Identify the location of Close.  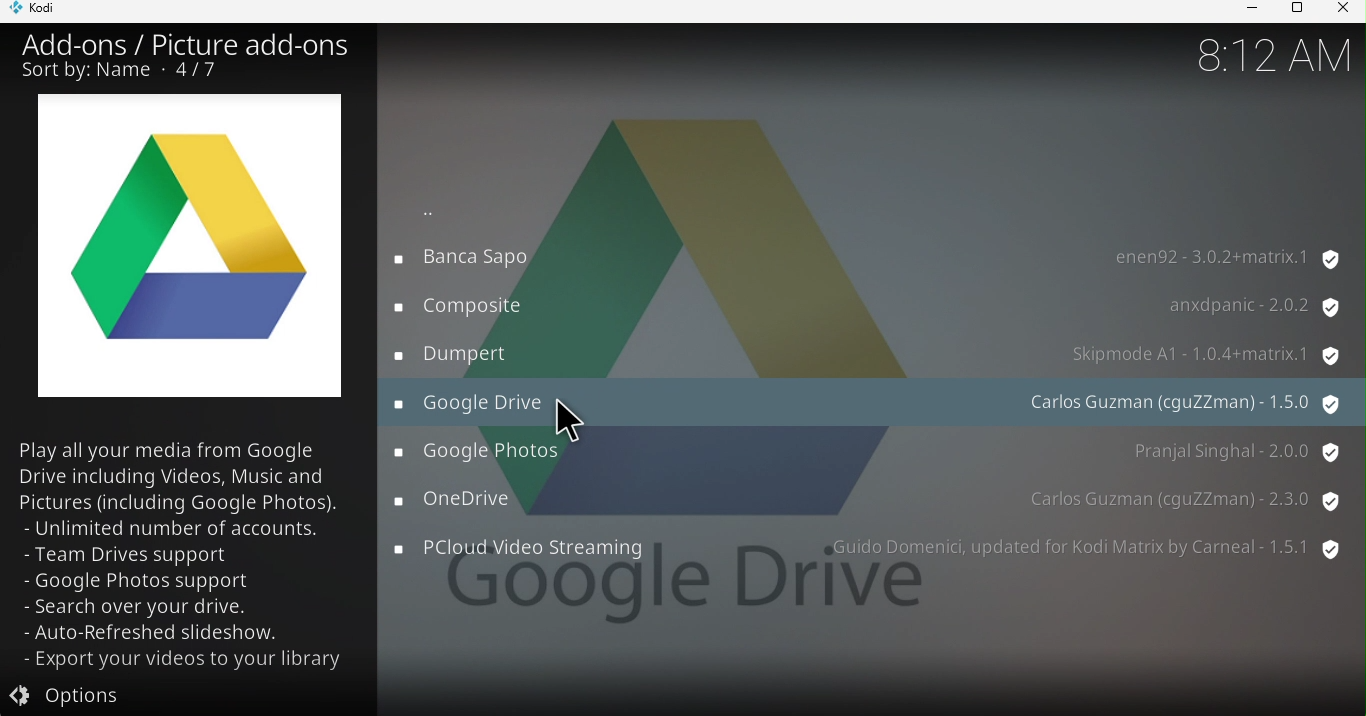
(1342, 11).